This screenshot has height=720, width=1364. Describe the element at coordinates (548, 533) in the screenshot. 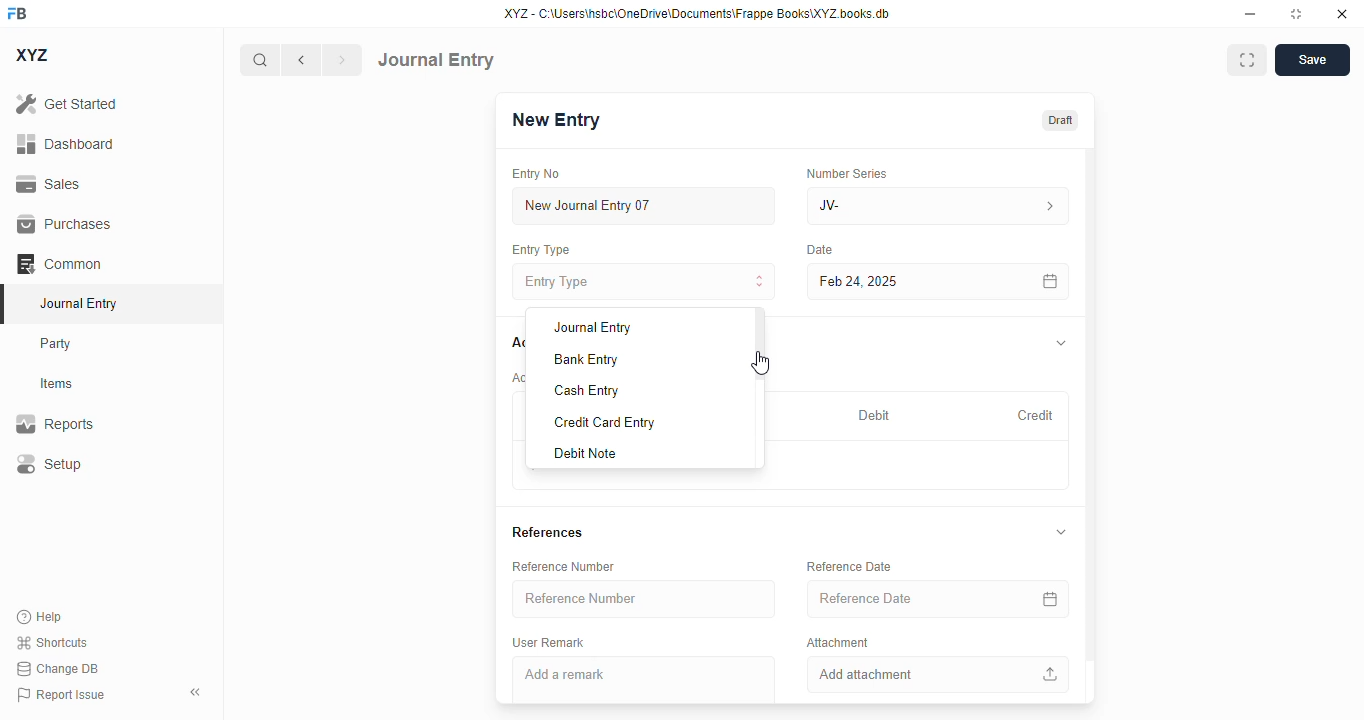

I see `references` at that location.